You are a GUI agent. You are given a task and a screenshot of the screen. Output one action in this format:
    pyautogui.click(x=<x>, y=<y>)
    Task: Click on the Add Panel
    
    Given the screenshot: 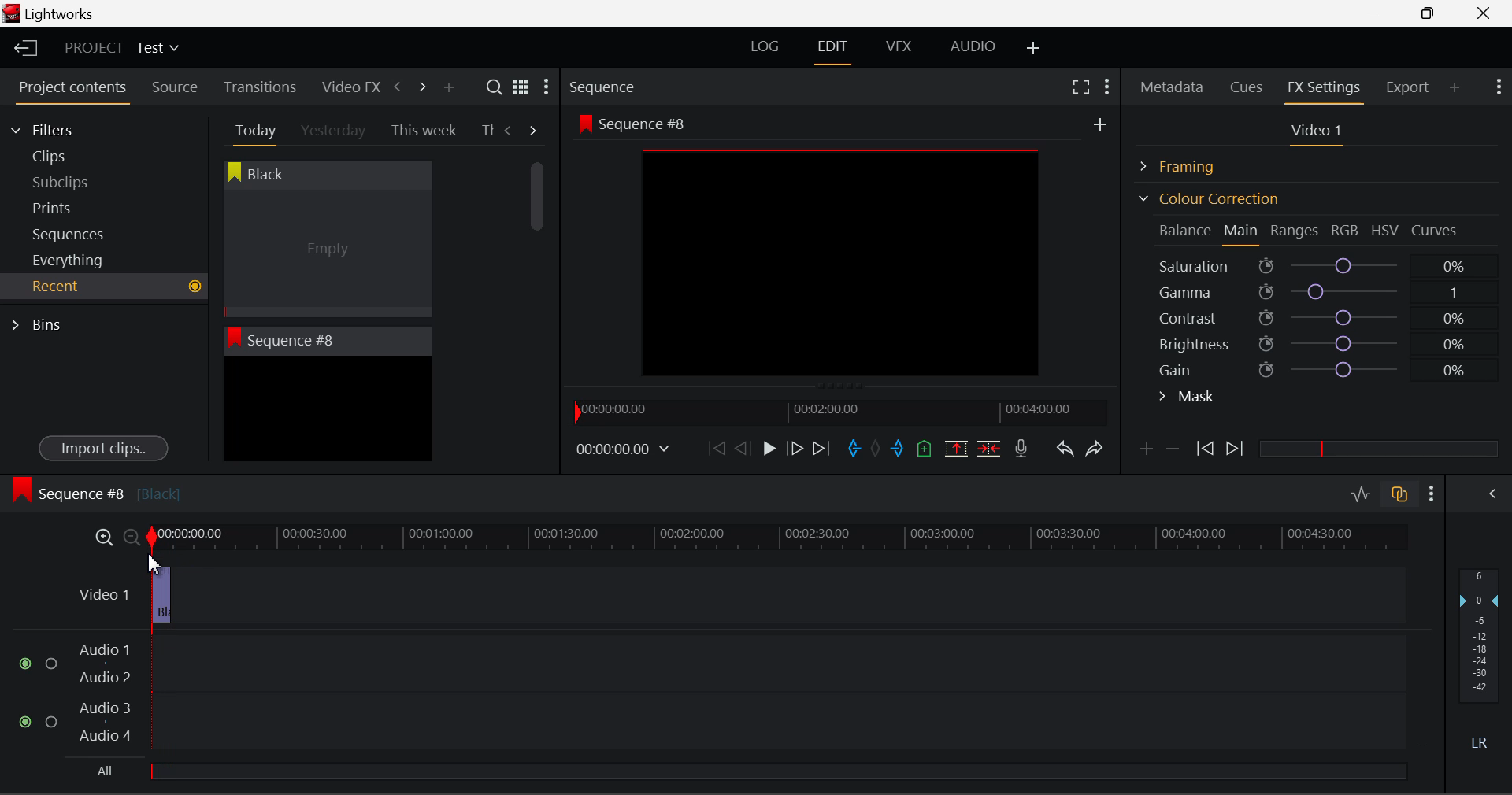 What is the action you would take?
    pyautogui.click(x=448, y=88)
    